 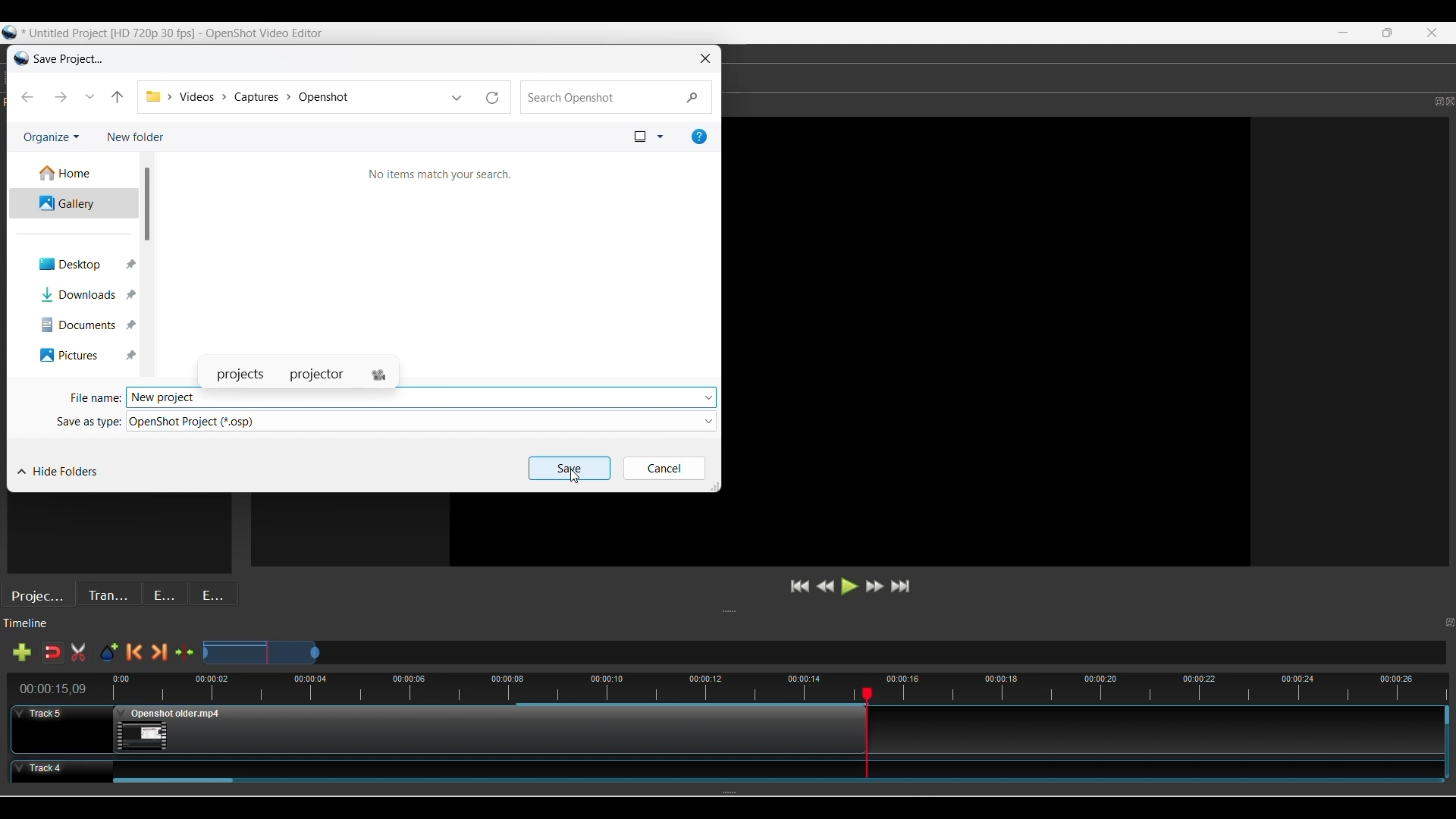 I want to click on Rewind, so click(x=826, y=586).